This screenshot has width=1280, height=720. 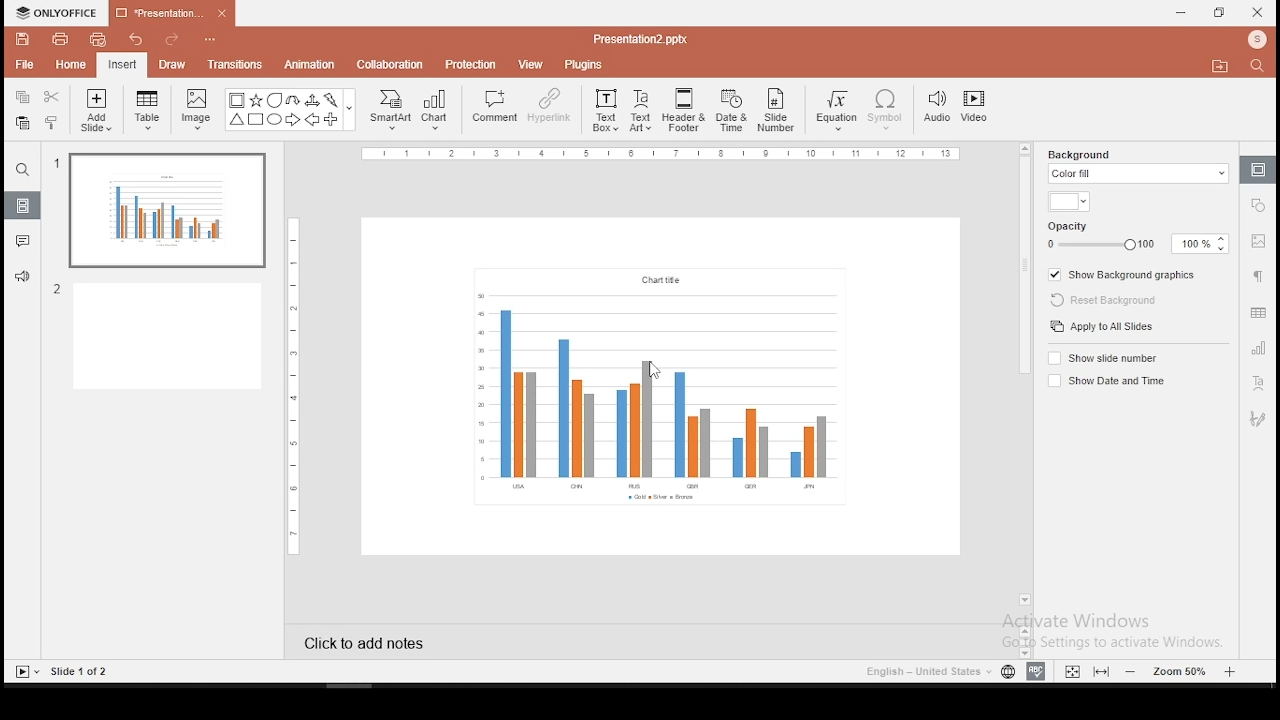 I want to click on background, so click(x=1139, y=164).